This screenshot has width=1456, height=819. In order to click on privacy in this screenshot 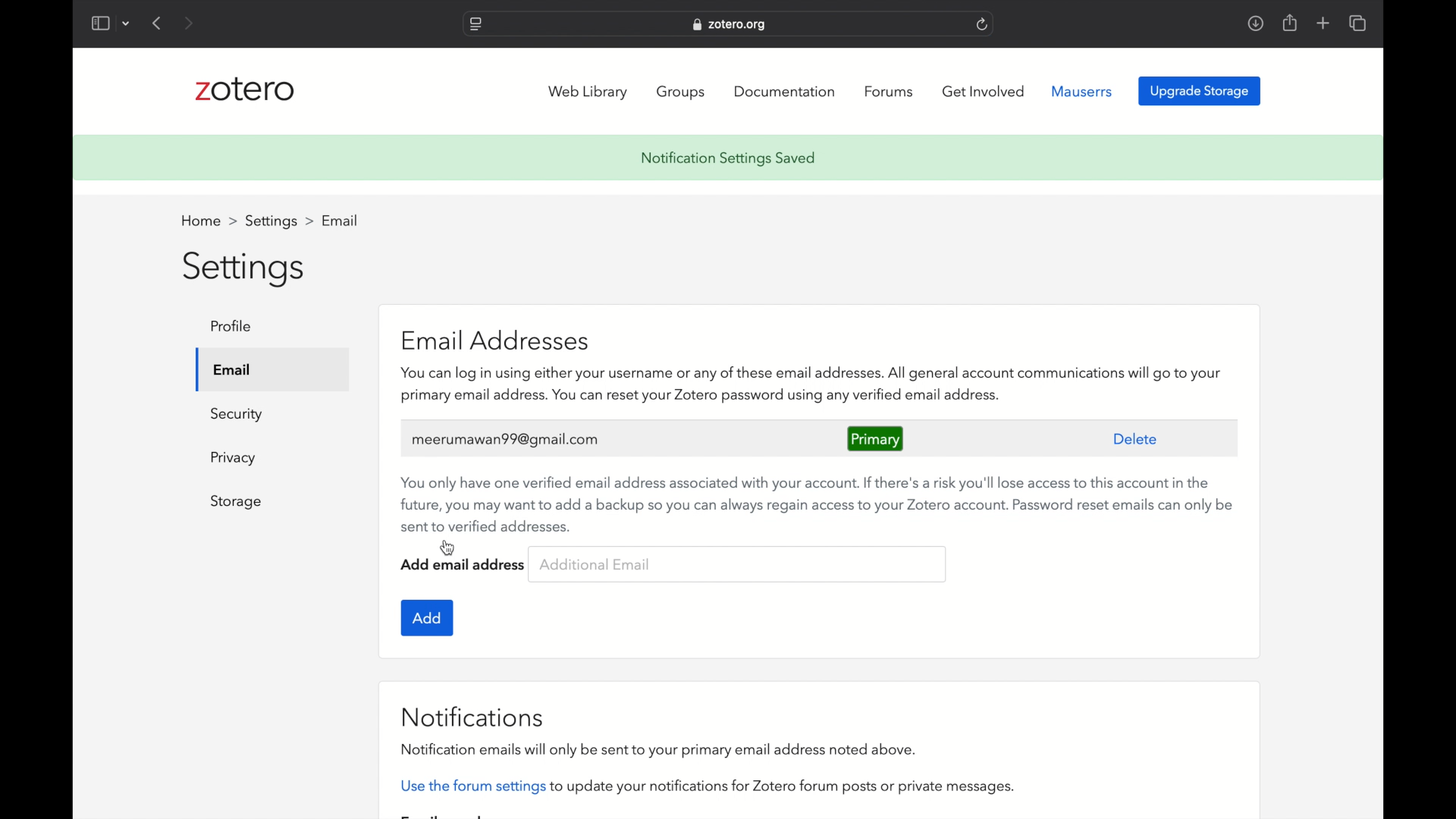, I will do `click(235, 458)`.